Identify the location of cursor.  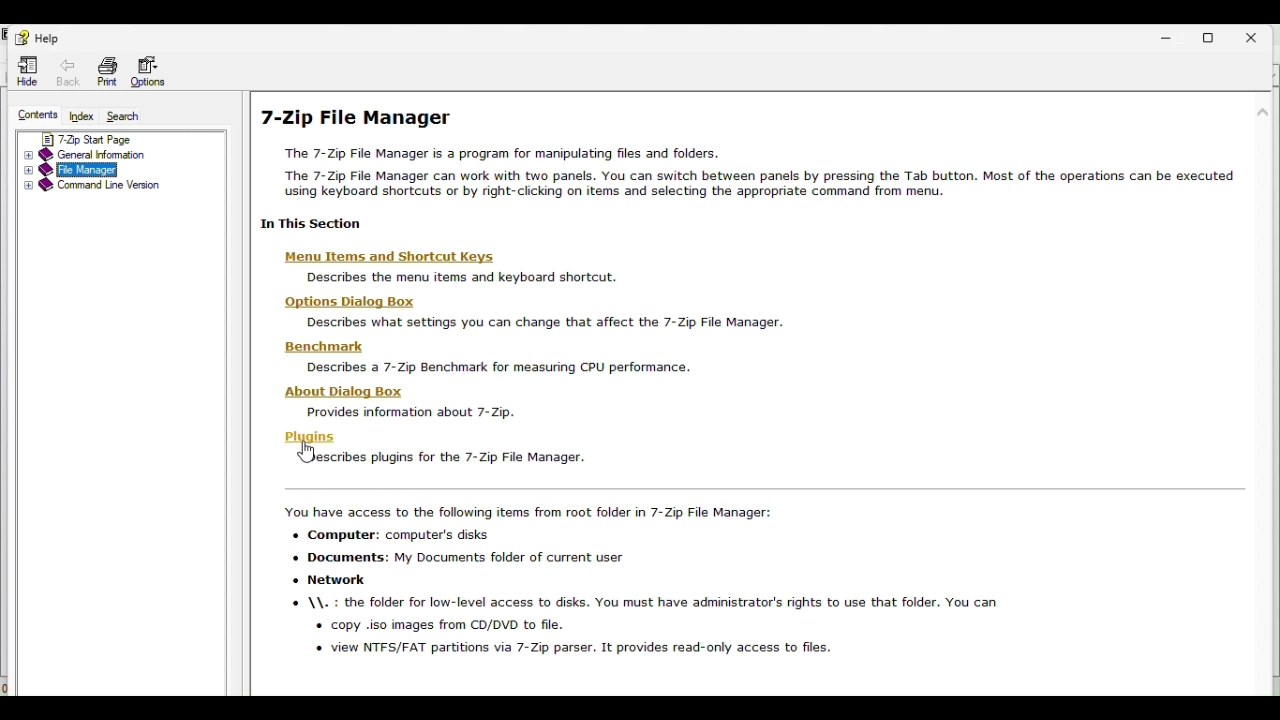
(309, 454).